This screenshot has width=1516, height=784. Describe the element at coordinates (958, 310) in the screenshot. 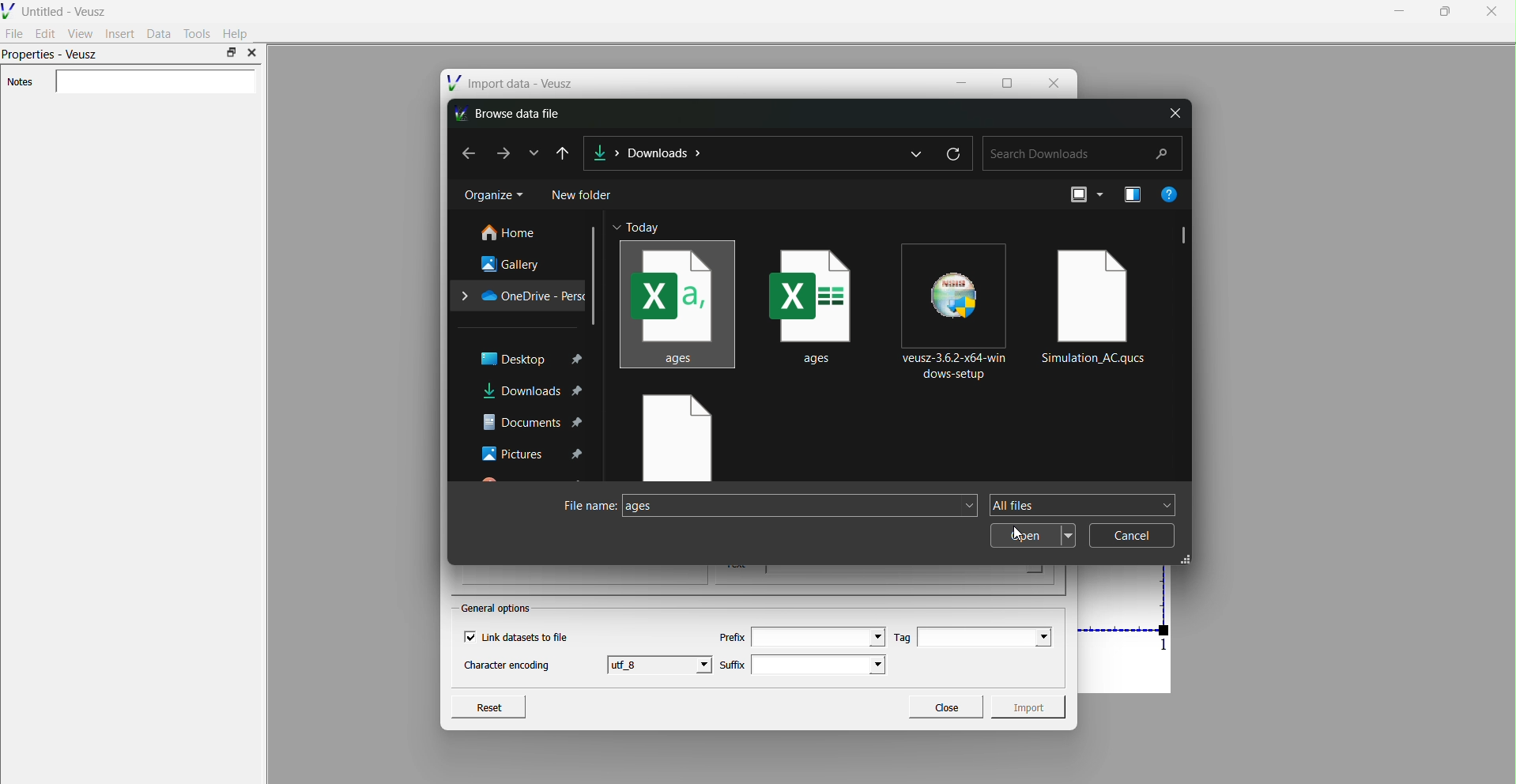

I see `veusz-3.6.2-x64-win
dows-setup` at that location.